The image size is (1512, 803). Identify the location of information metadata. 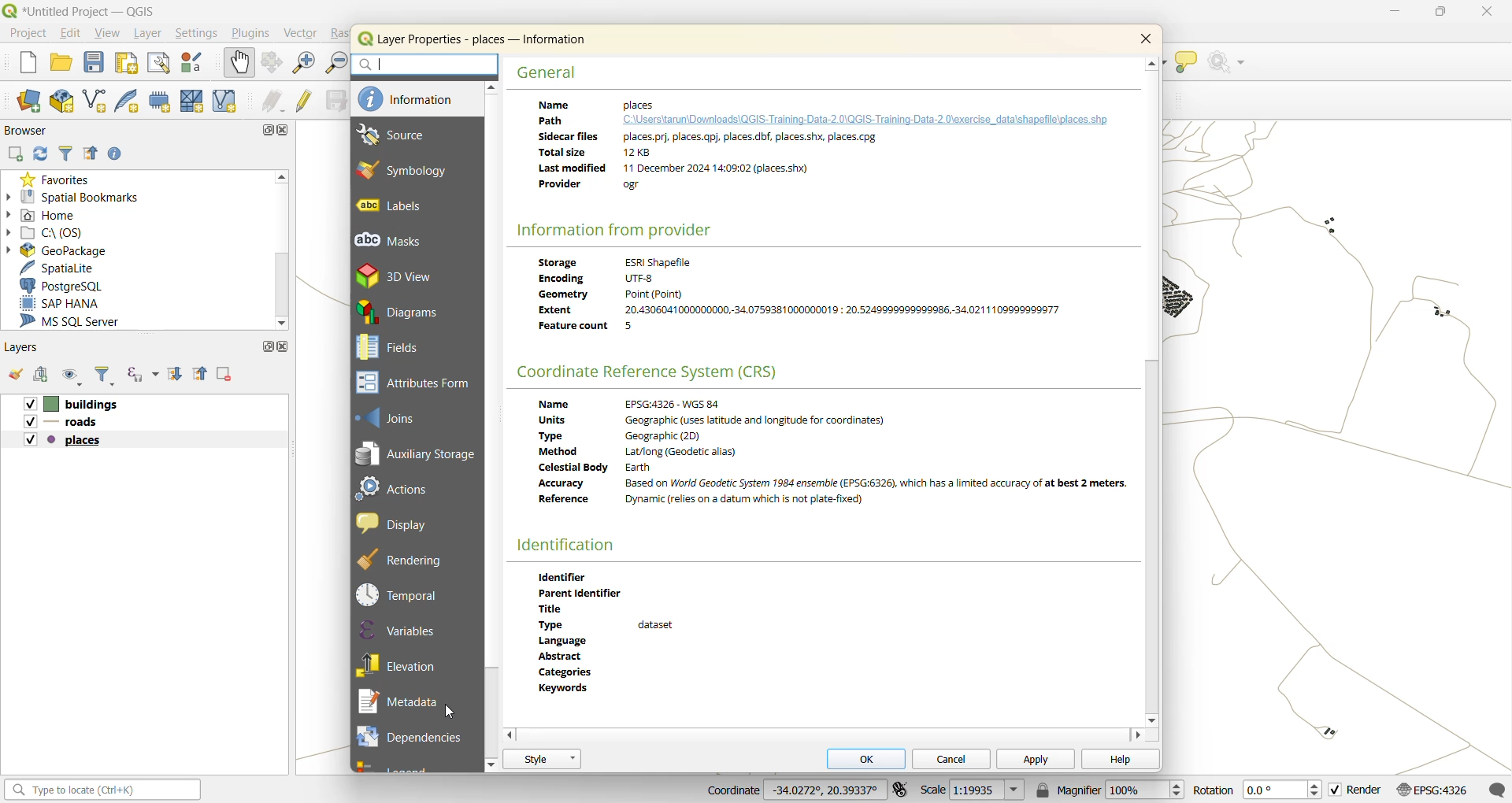
(806, 299).